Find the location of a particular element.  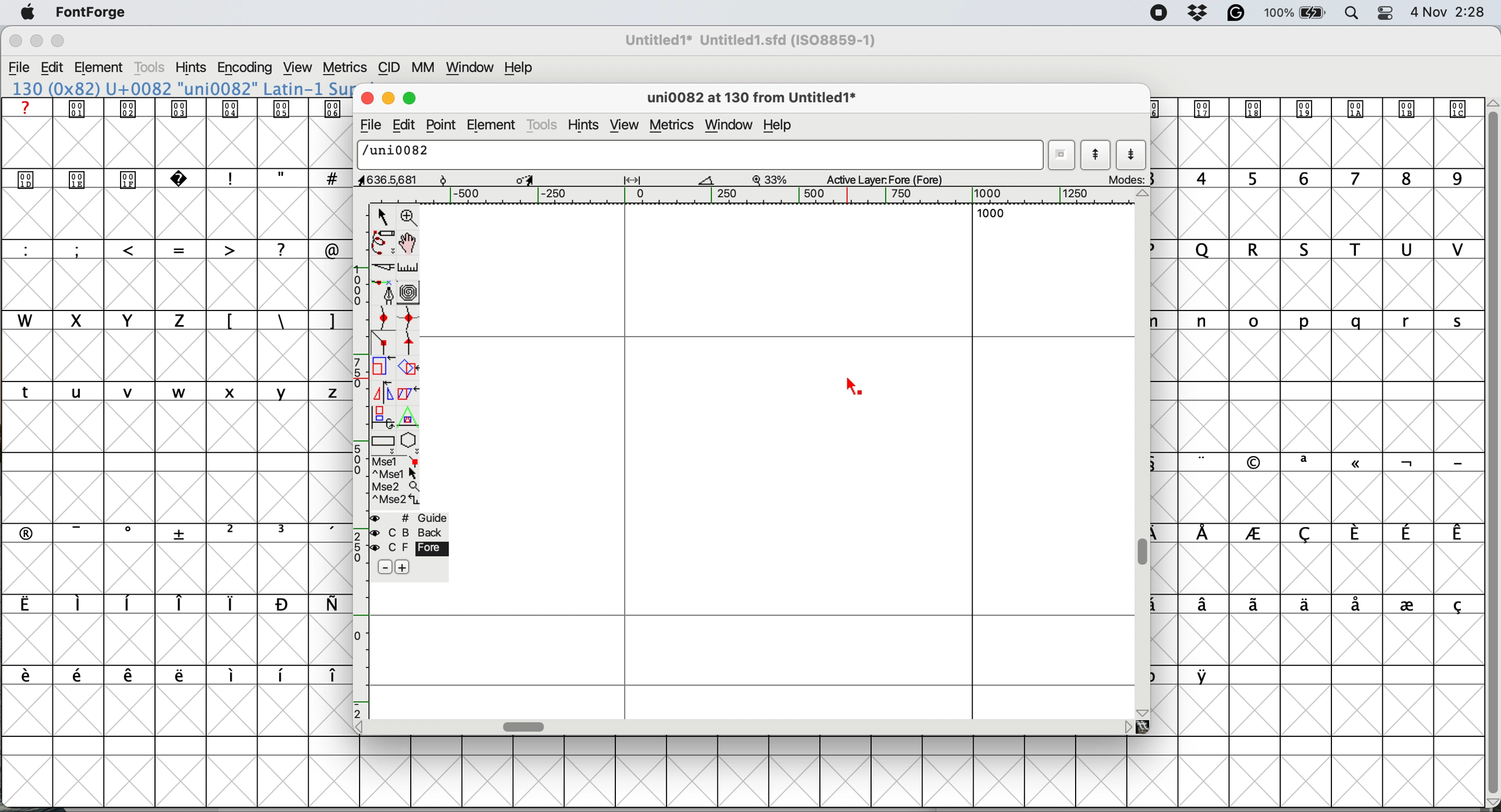

symbols is located at coordinates (179, 108).